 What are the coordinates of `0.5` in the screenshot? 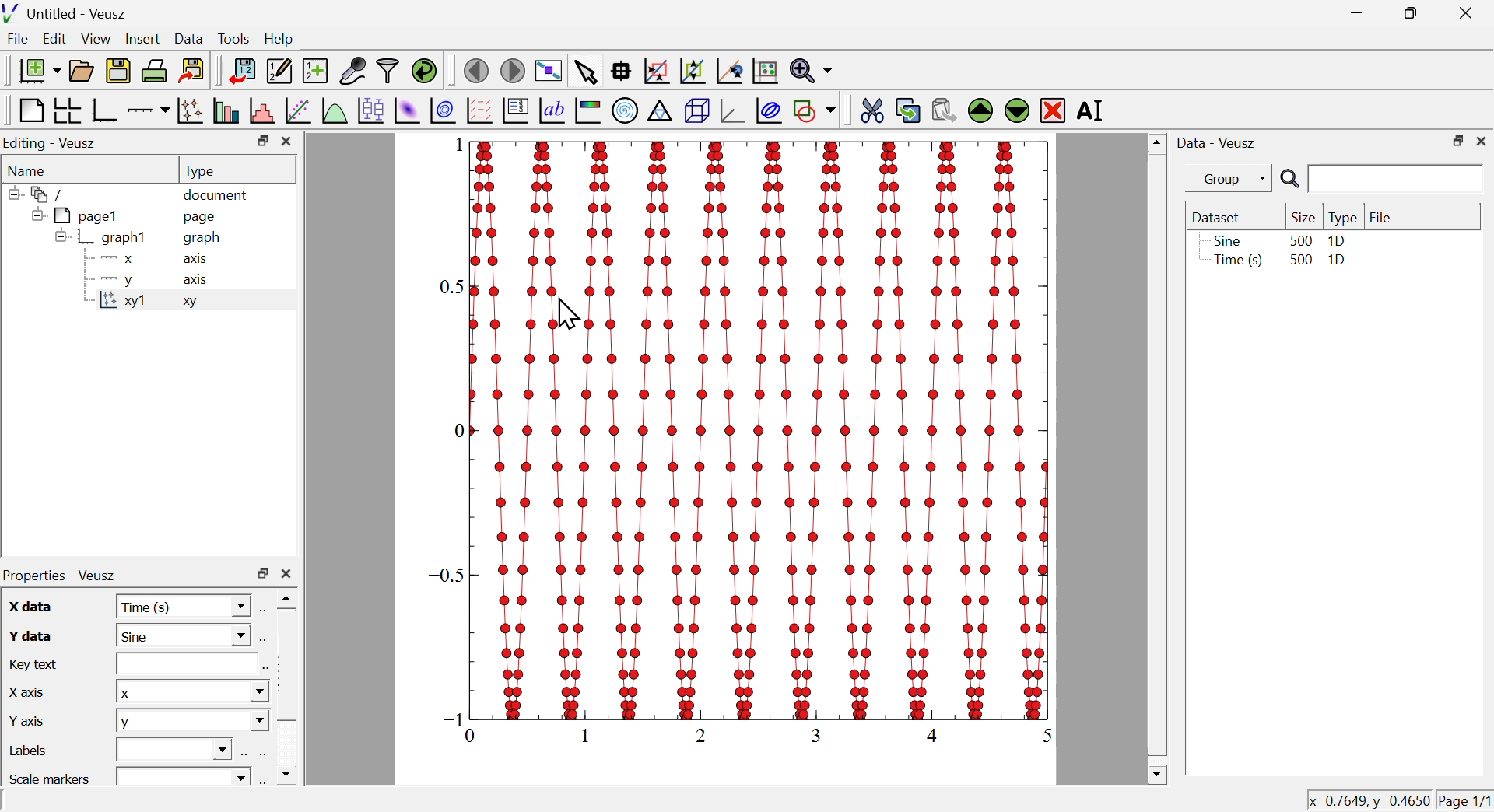 It's located at (455, 286).